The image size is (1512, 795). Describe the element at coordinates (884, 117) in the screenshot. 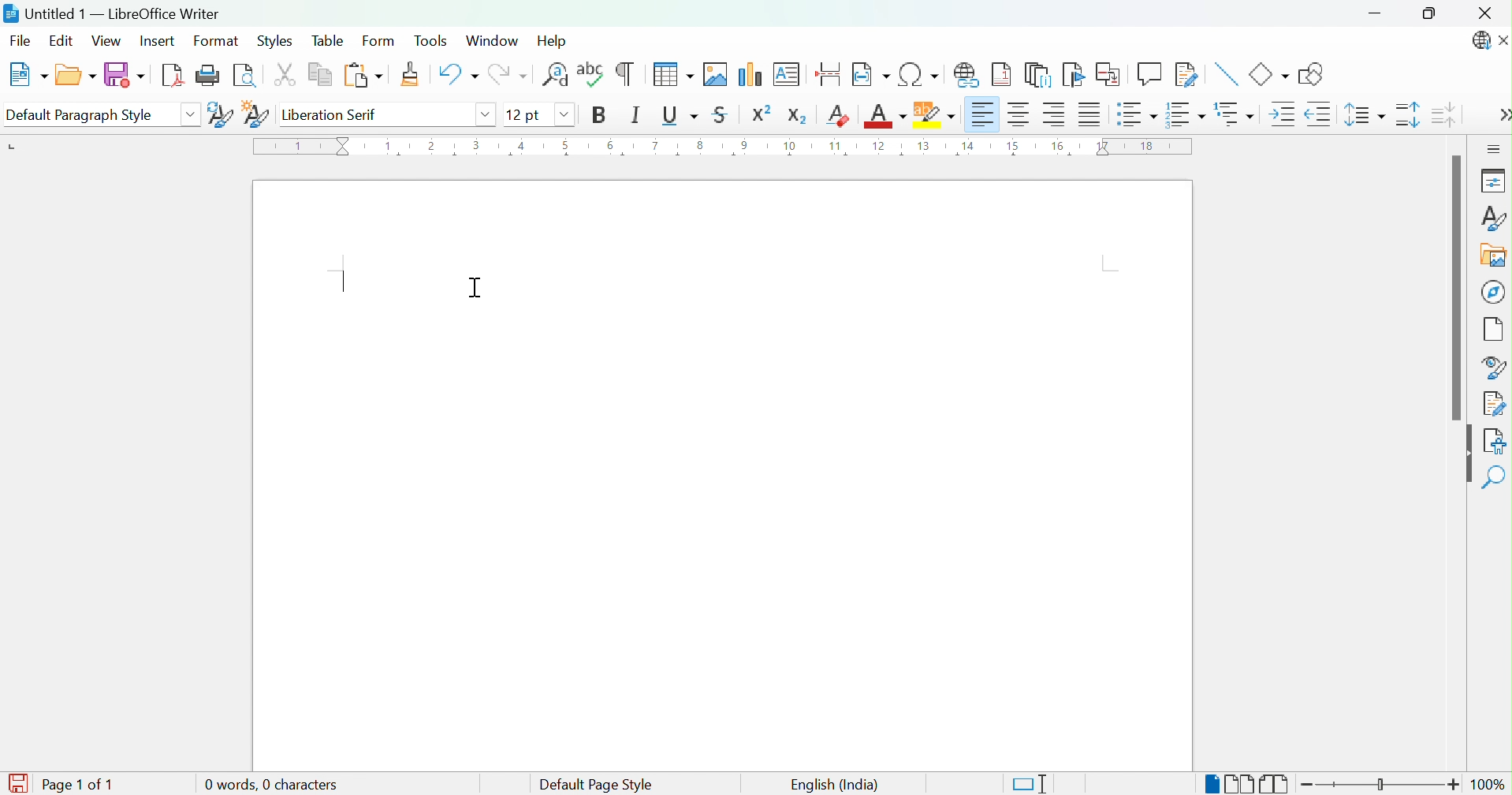

I see `Font Color` at that location.